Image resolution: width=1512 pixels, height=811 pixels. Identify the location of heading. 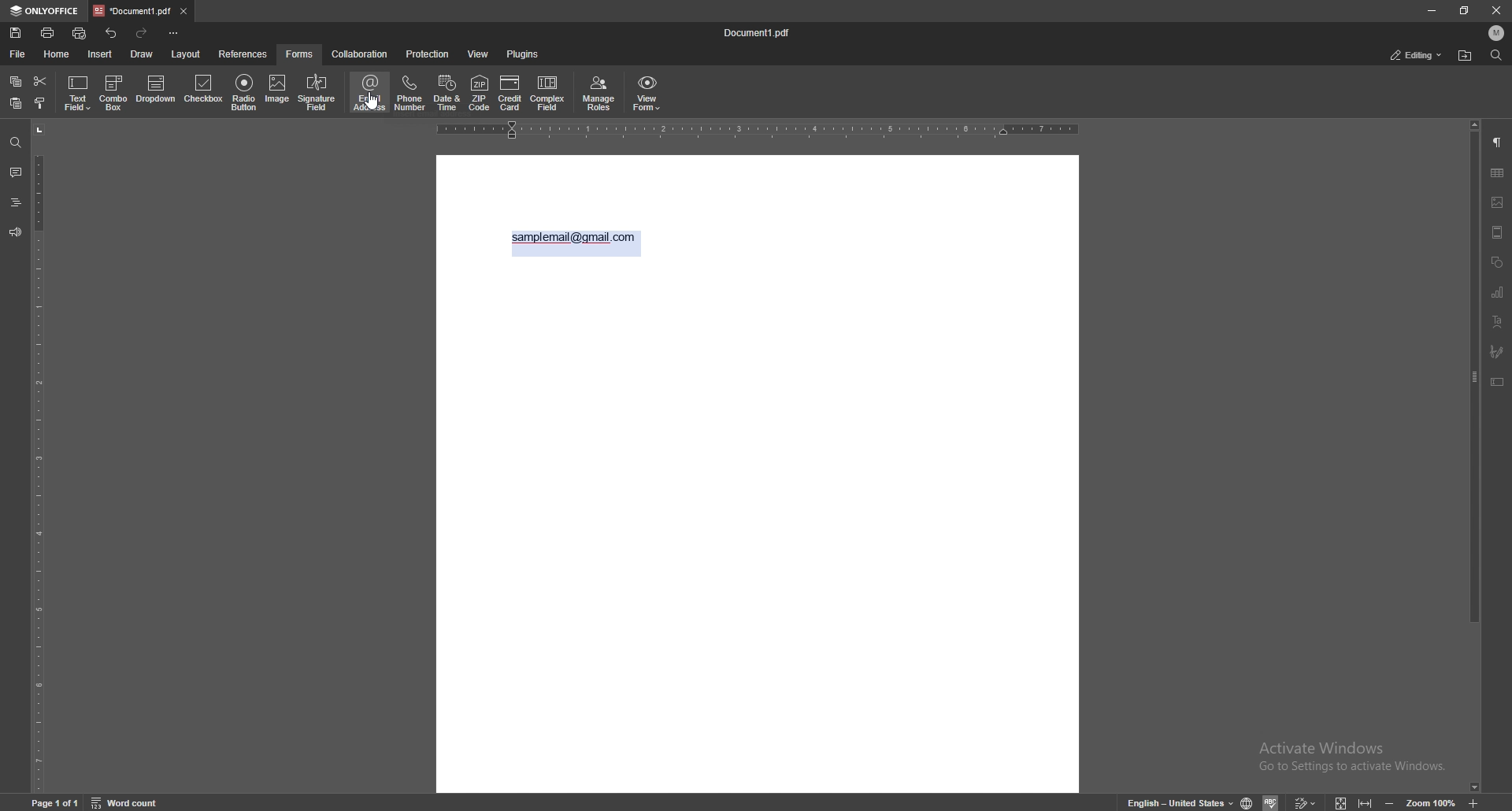
(15, 202).